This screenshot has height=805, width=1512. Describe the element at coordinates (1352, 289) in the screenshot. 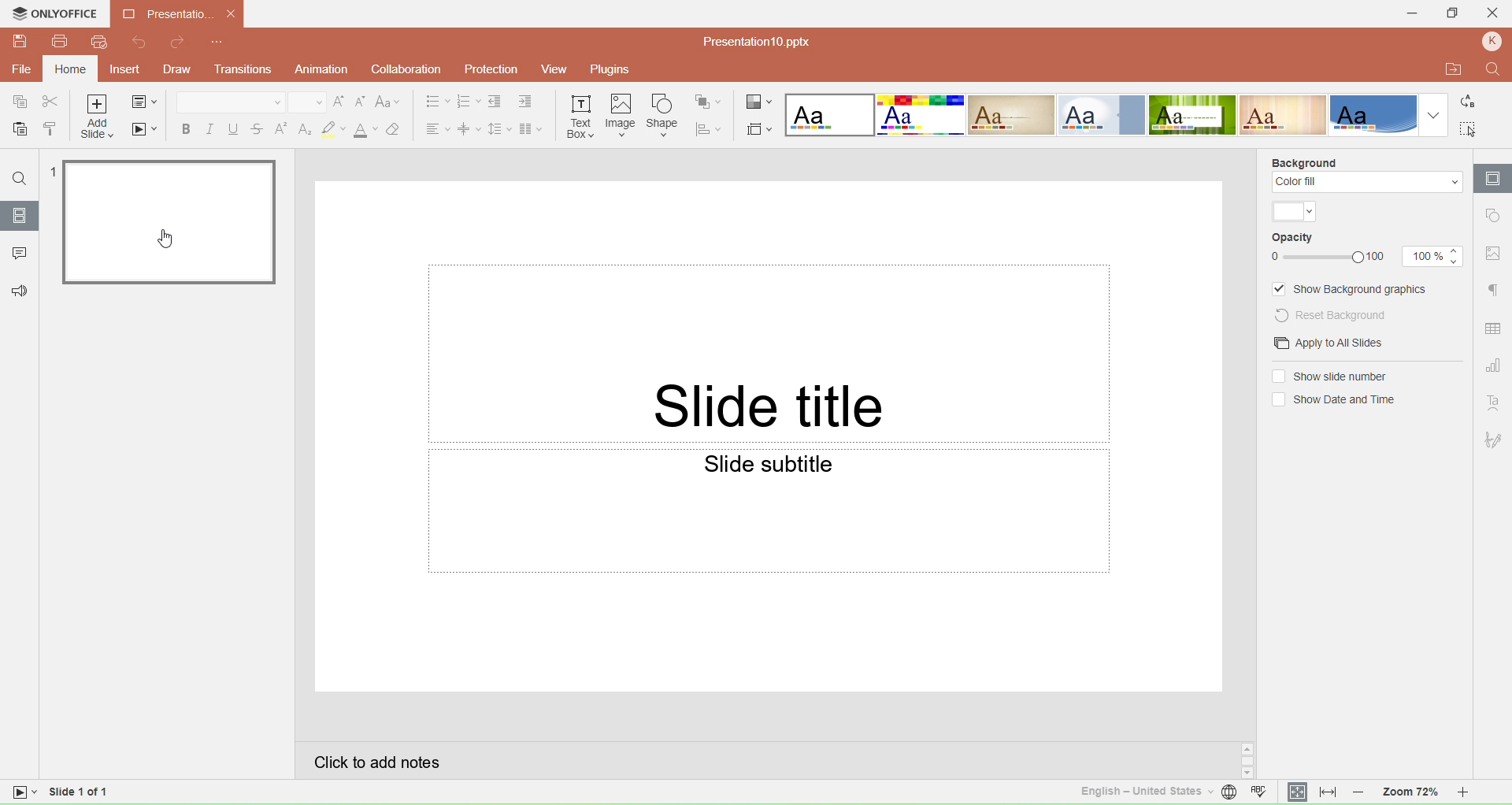

I see `(un)select Show background graphics` at that location.